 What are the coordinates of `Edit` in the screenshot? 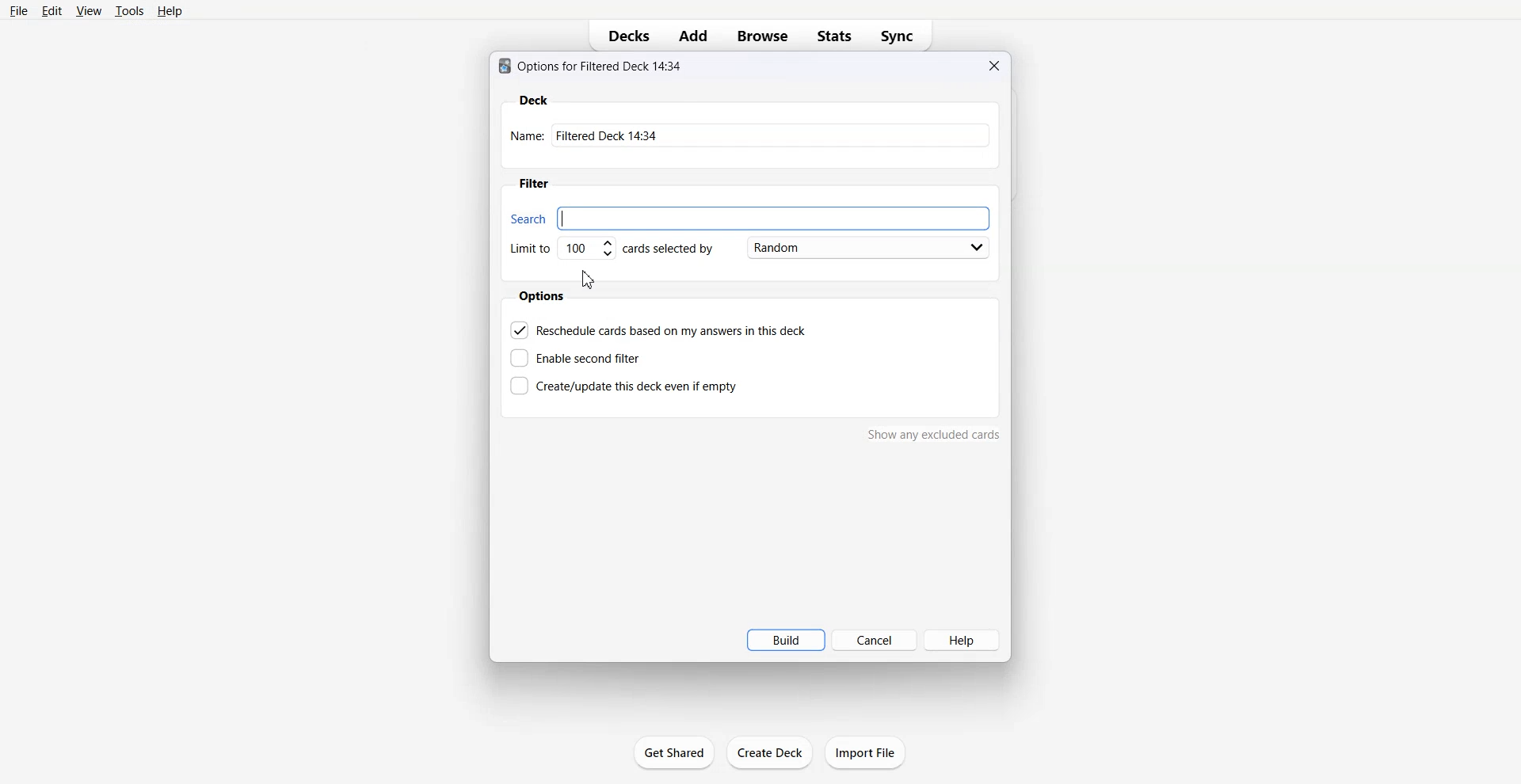 It's located at (51, 10).